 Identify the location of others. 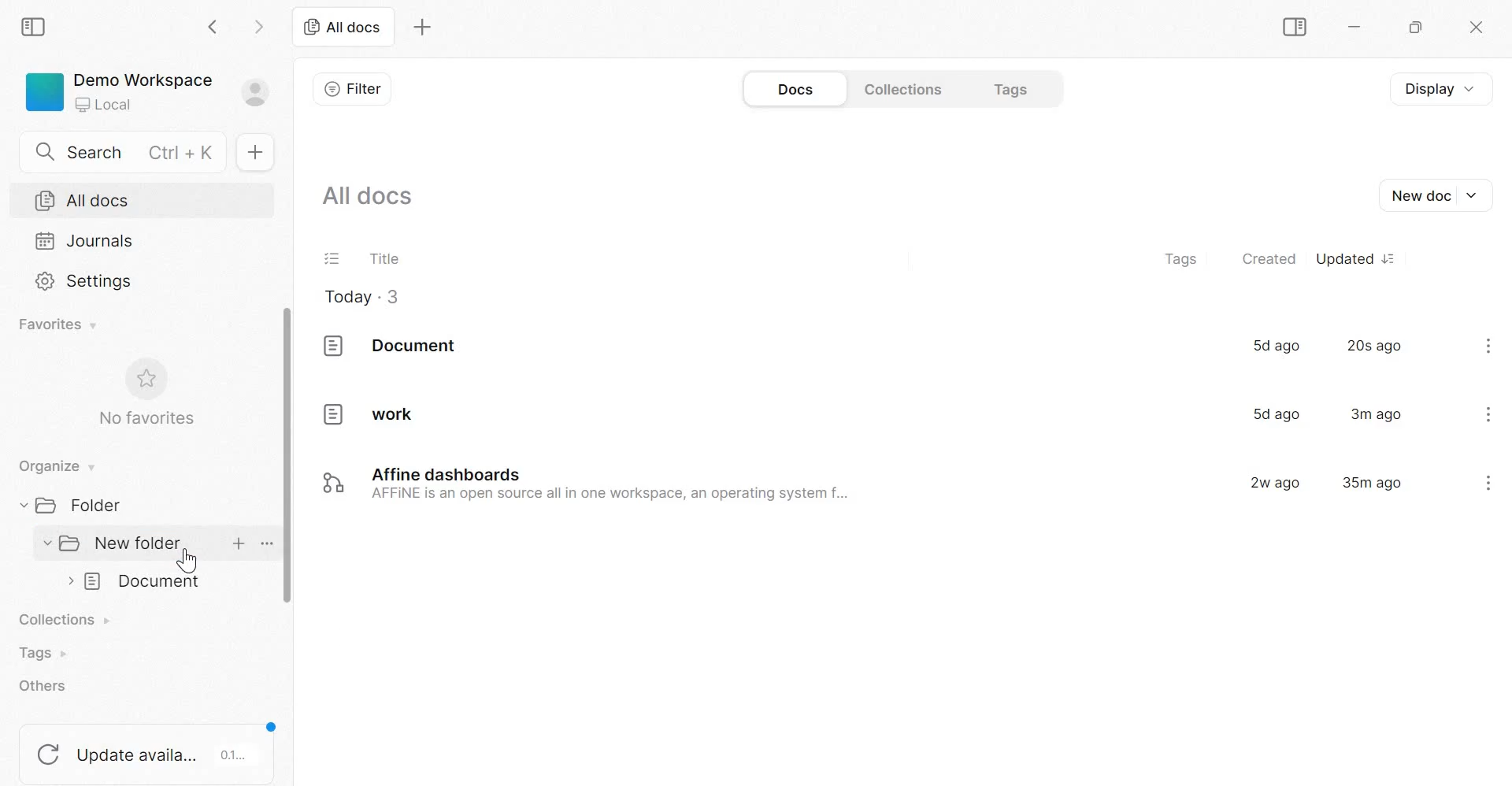
(46, 686).